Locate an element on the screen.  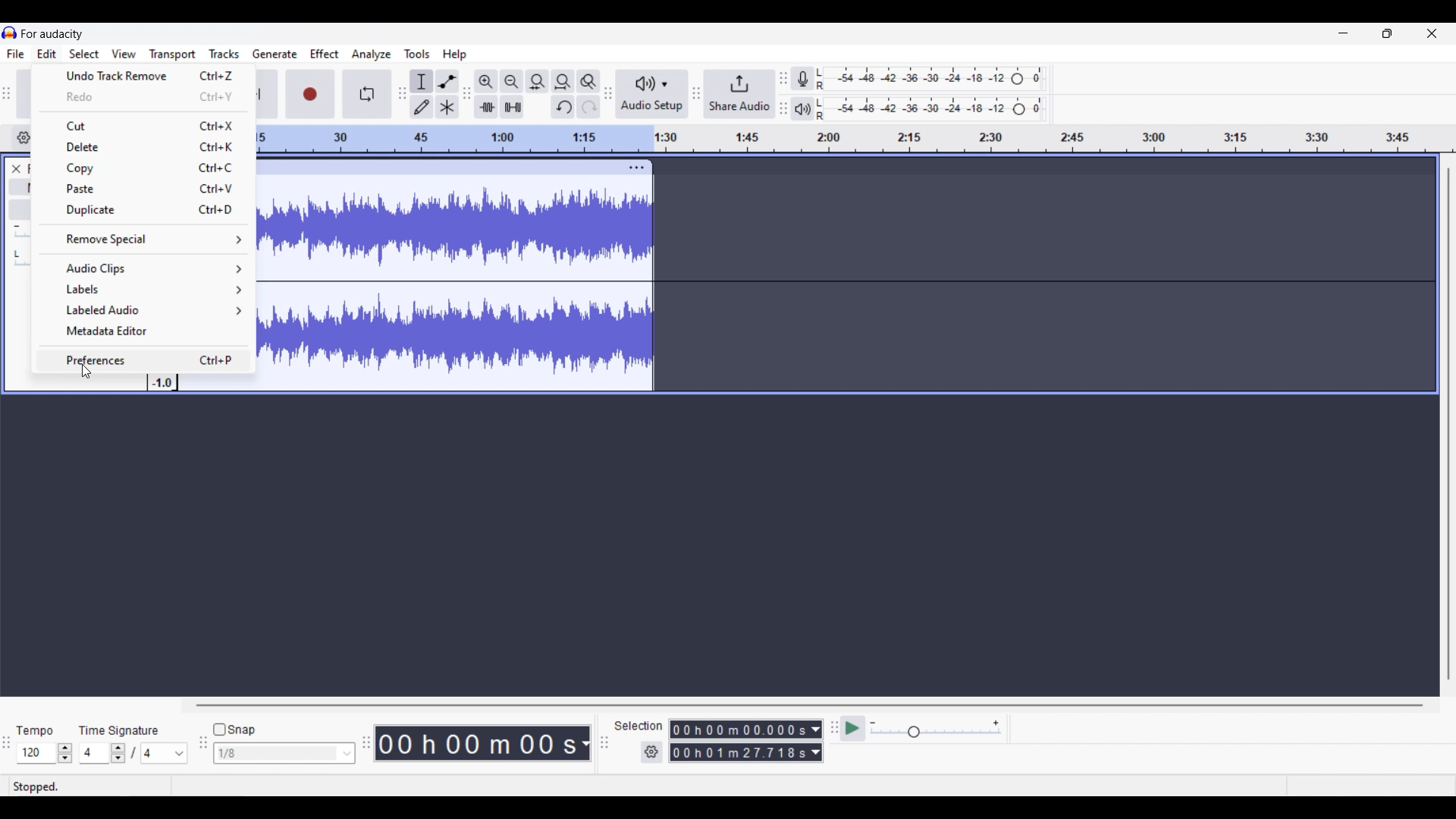
Undo track remove is located at coordinates (146, 75).